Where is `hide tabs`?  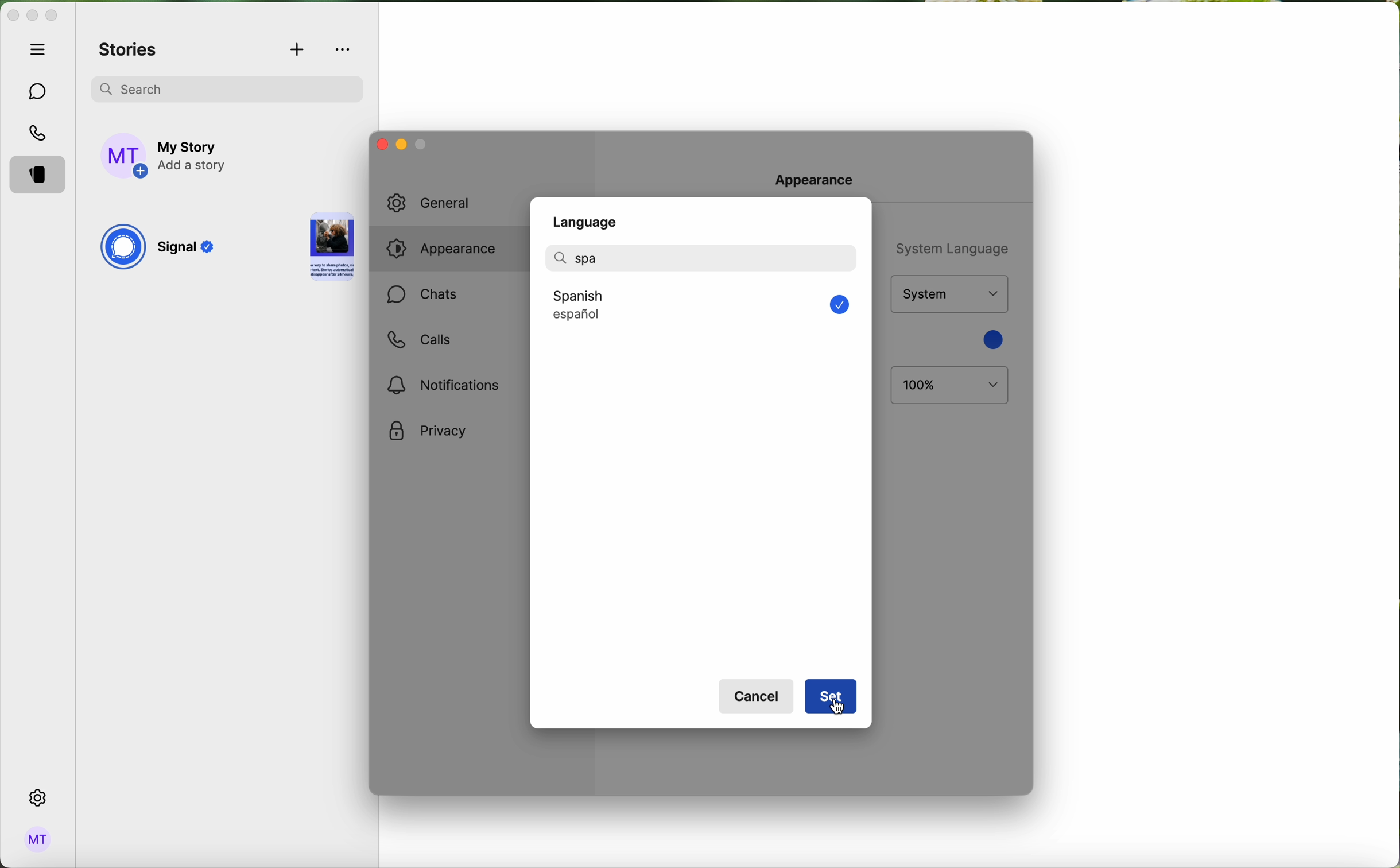 hide tabs is located at coordinates (41, 49).